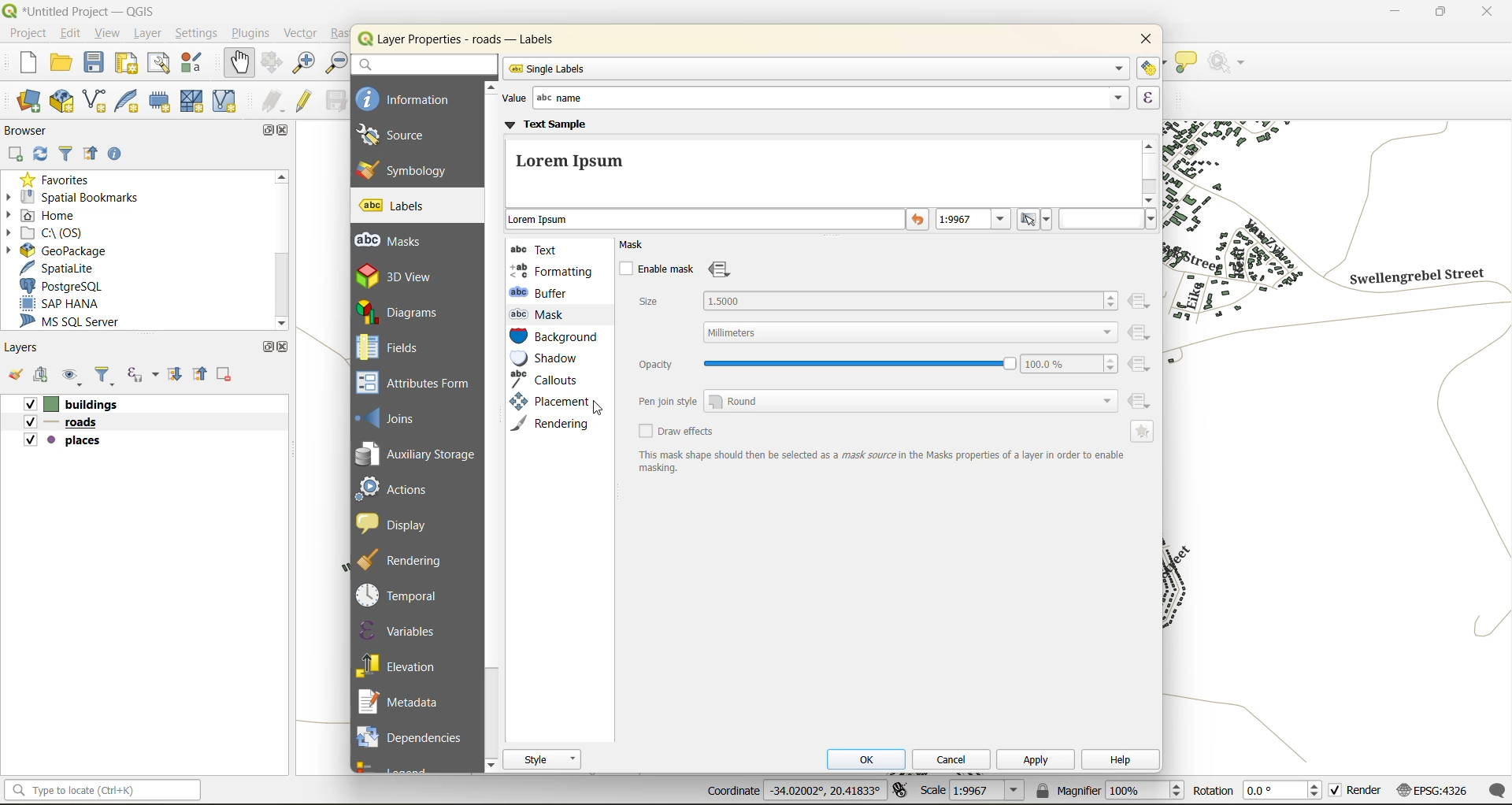 This screenshot has width=1512, height=805. I want to click on search, so click(423, 64).